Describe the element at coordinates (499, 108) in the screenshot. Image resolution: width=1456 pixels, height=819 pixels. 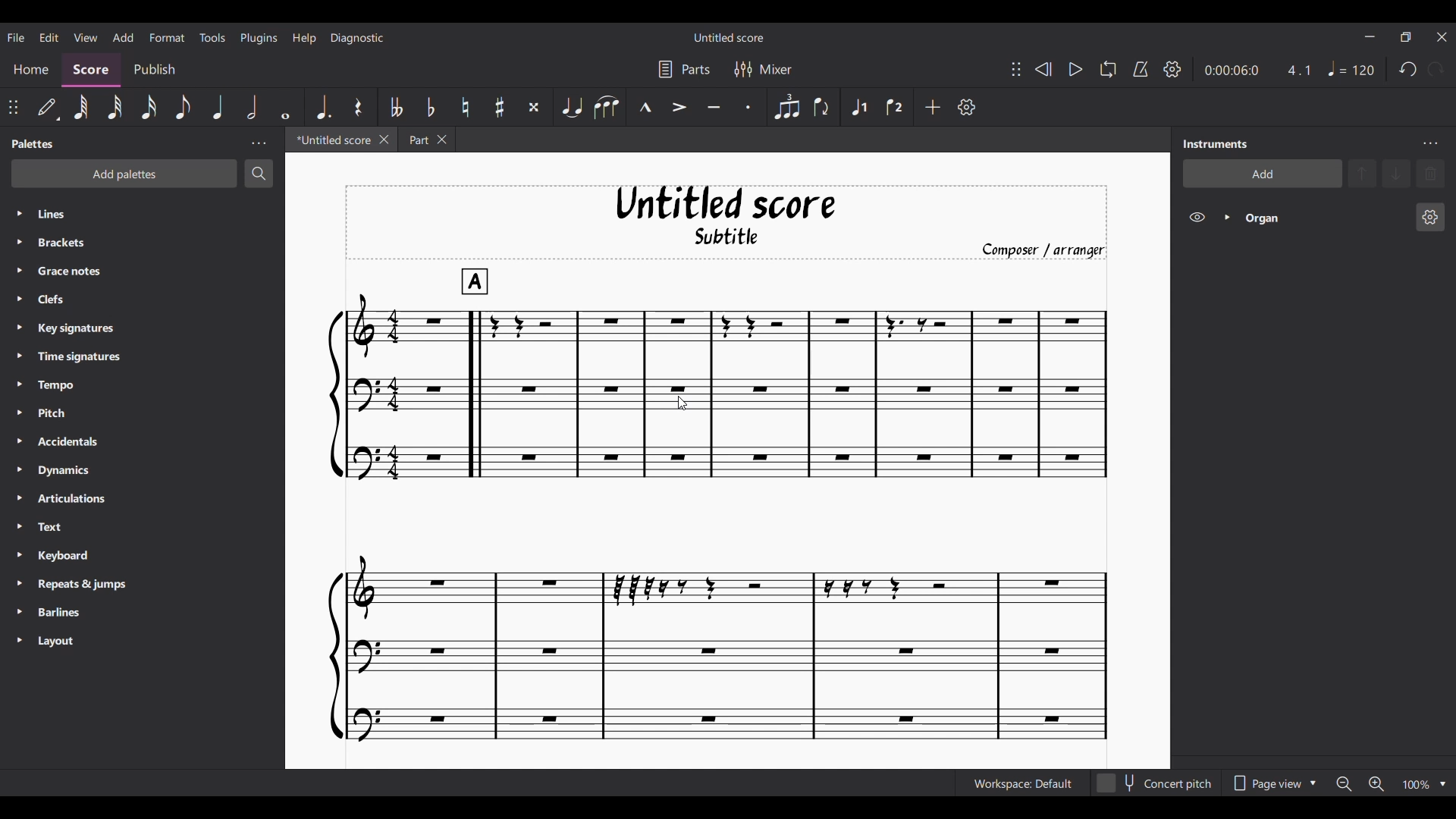
I see `Toggle sharp` at that location.